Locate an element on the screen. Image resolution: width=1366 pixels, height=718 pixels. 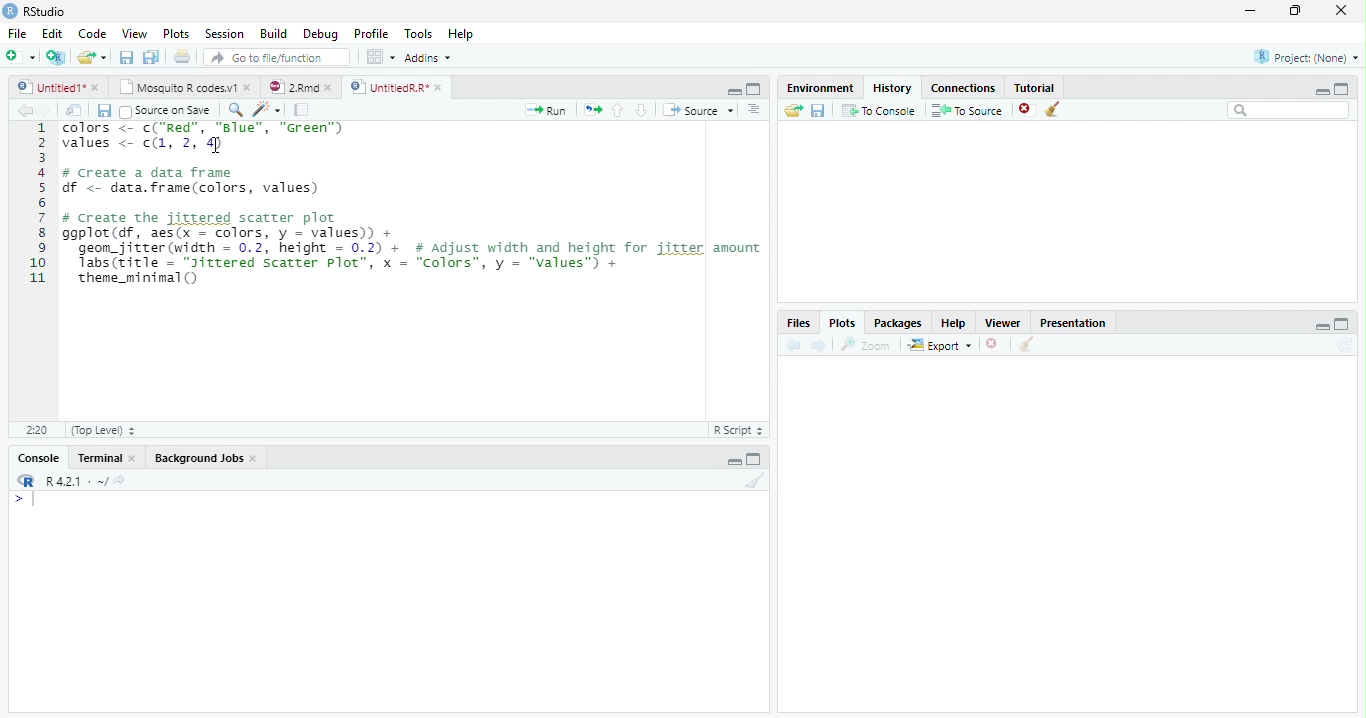
Plots is located at coordinates (842, 323).